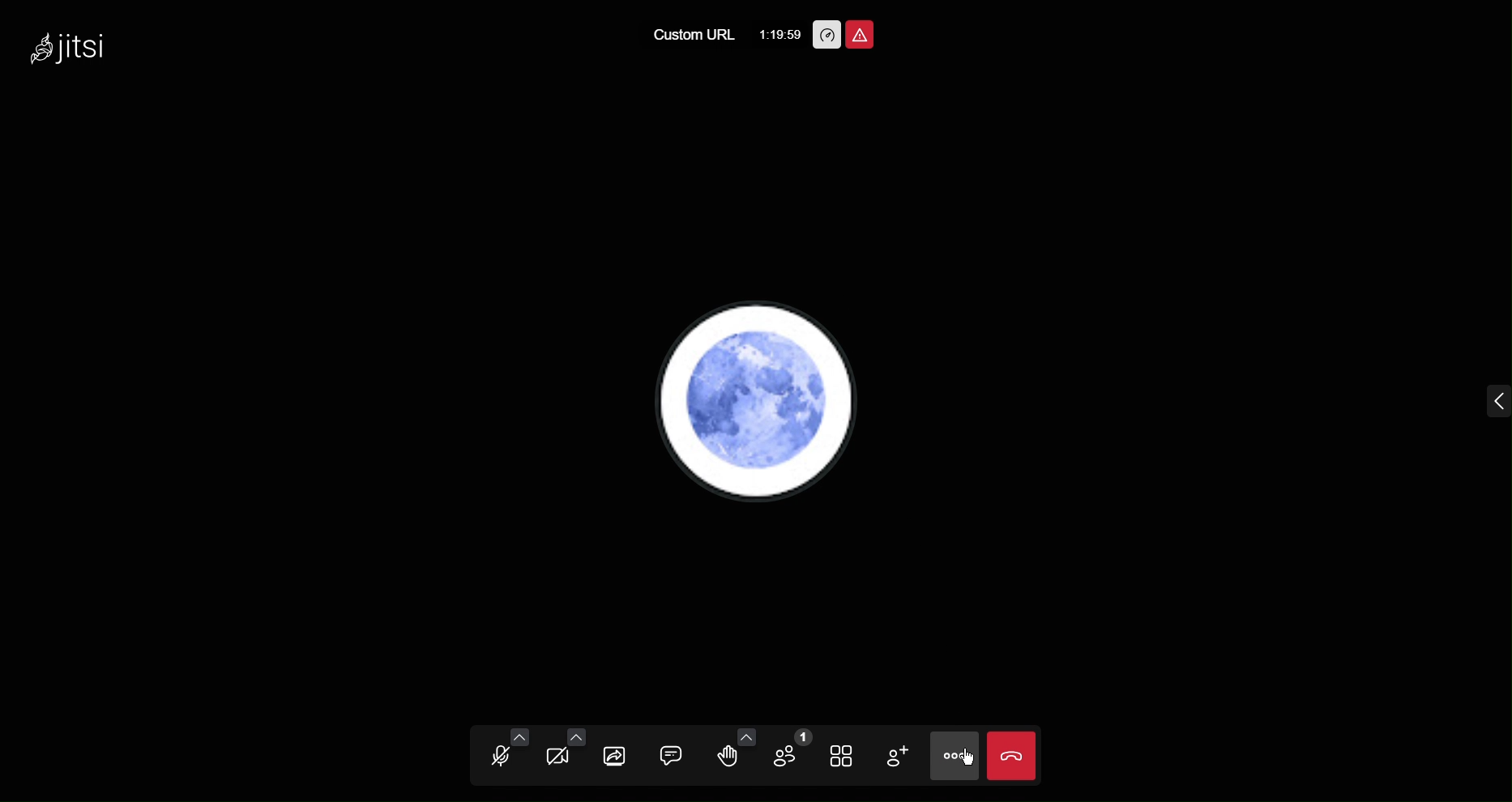 Image resolution: width=1512 pixels, height=802 pixels. I want to click on Video, so click(556, 754).